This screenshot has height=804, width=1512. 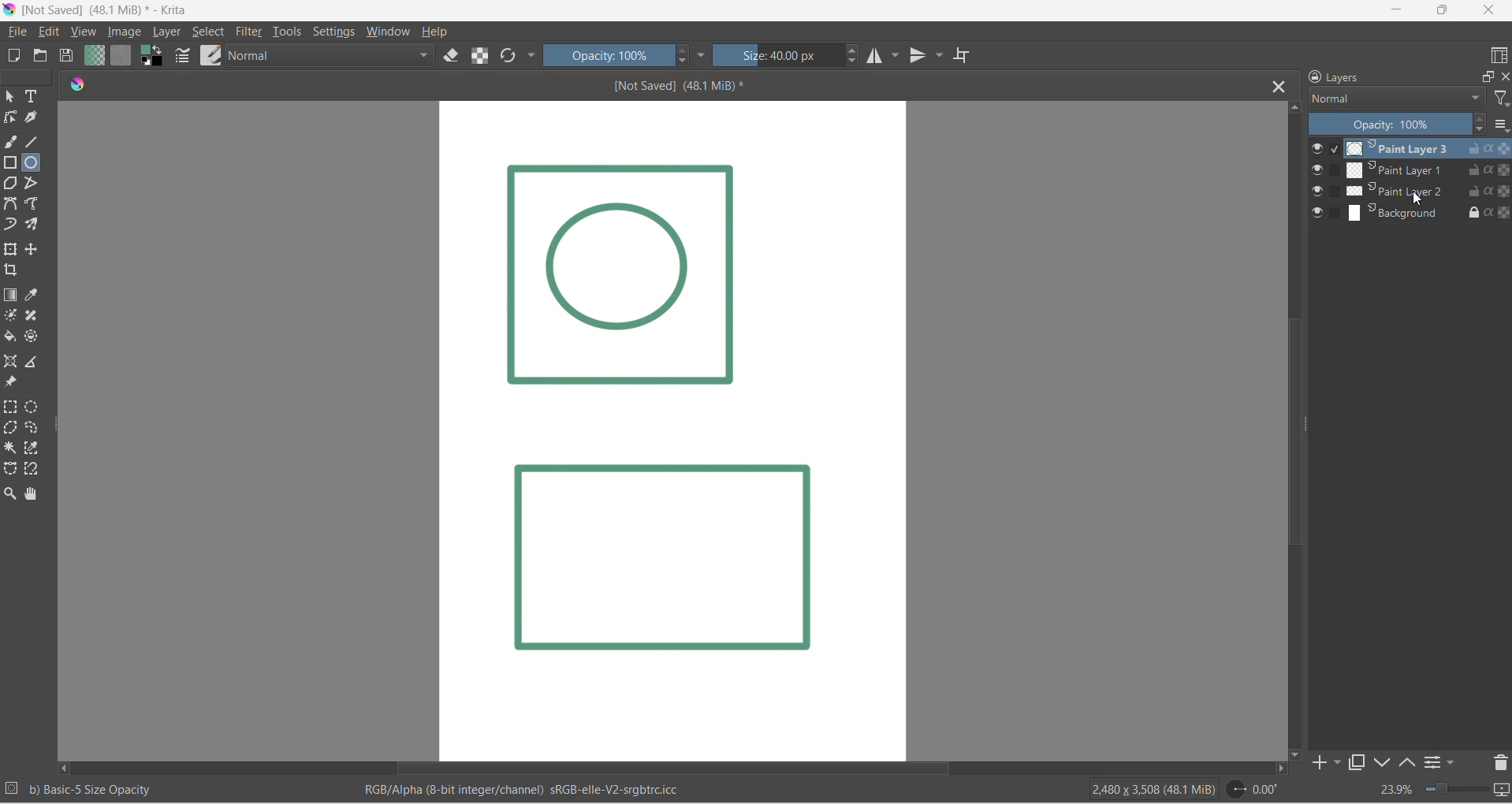 What do you see at coordinates (35, 361) in the screenshot?
I see `measure distance between two points` at bounding box center [35, 361].